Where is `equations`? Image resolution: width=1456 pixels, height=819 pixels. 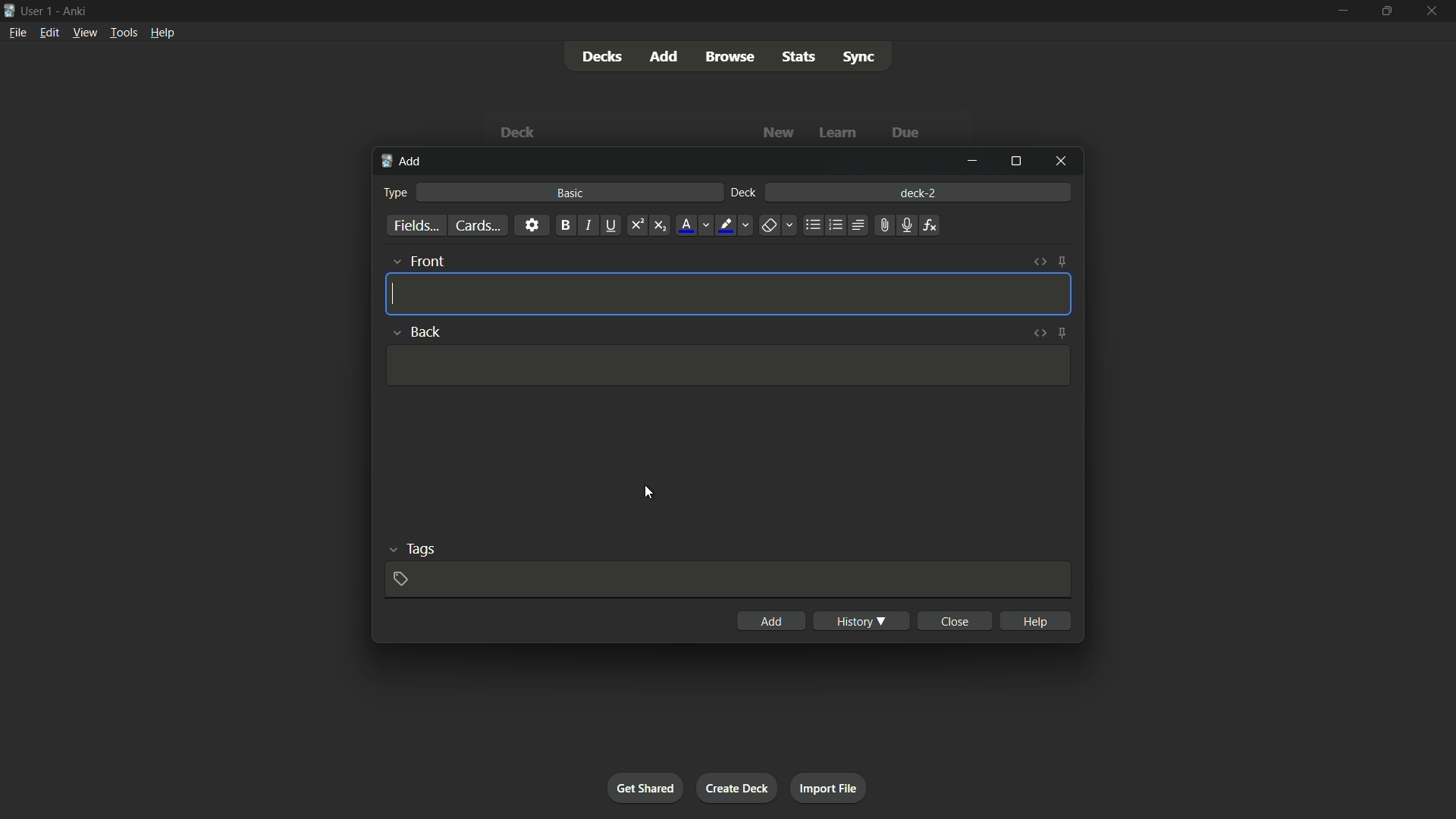
equations is located at coordinates (932, 226).